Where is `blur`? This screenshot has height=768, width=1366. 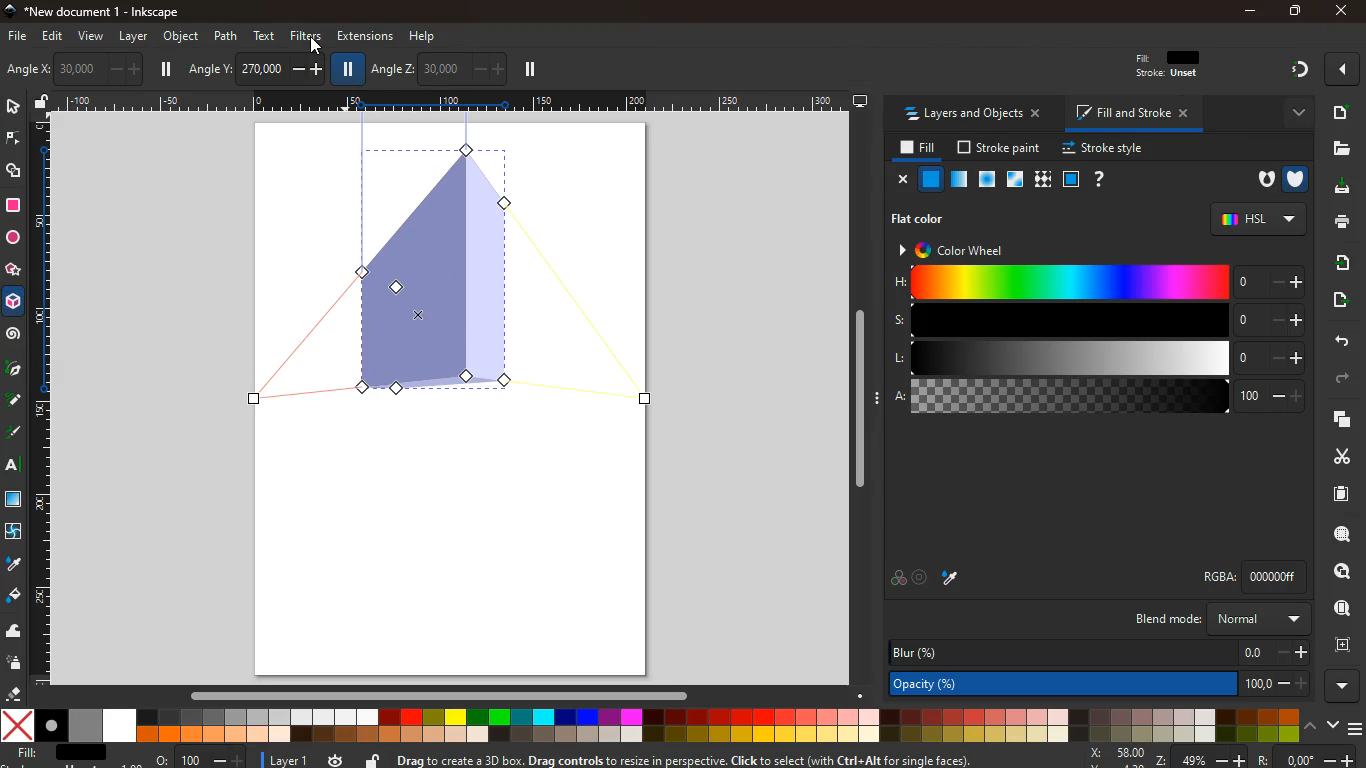
blur is located at coordinates (1096, 650).